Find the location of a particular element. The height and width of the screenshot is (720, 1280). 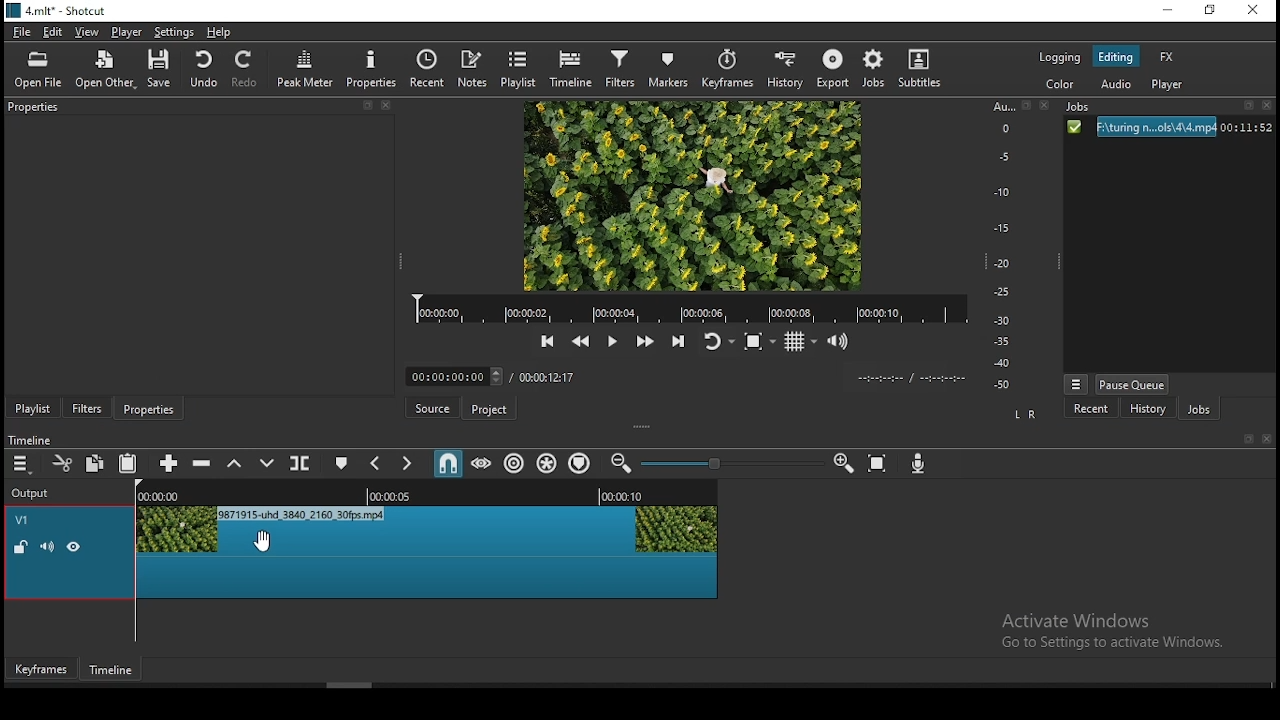

audio is located at coordinates (1115, 87).